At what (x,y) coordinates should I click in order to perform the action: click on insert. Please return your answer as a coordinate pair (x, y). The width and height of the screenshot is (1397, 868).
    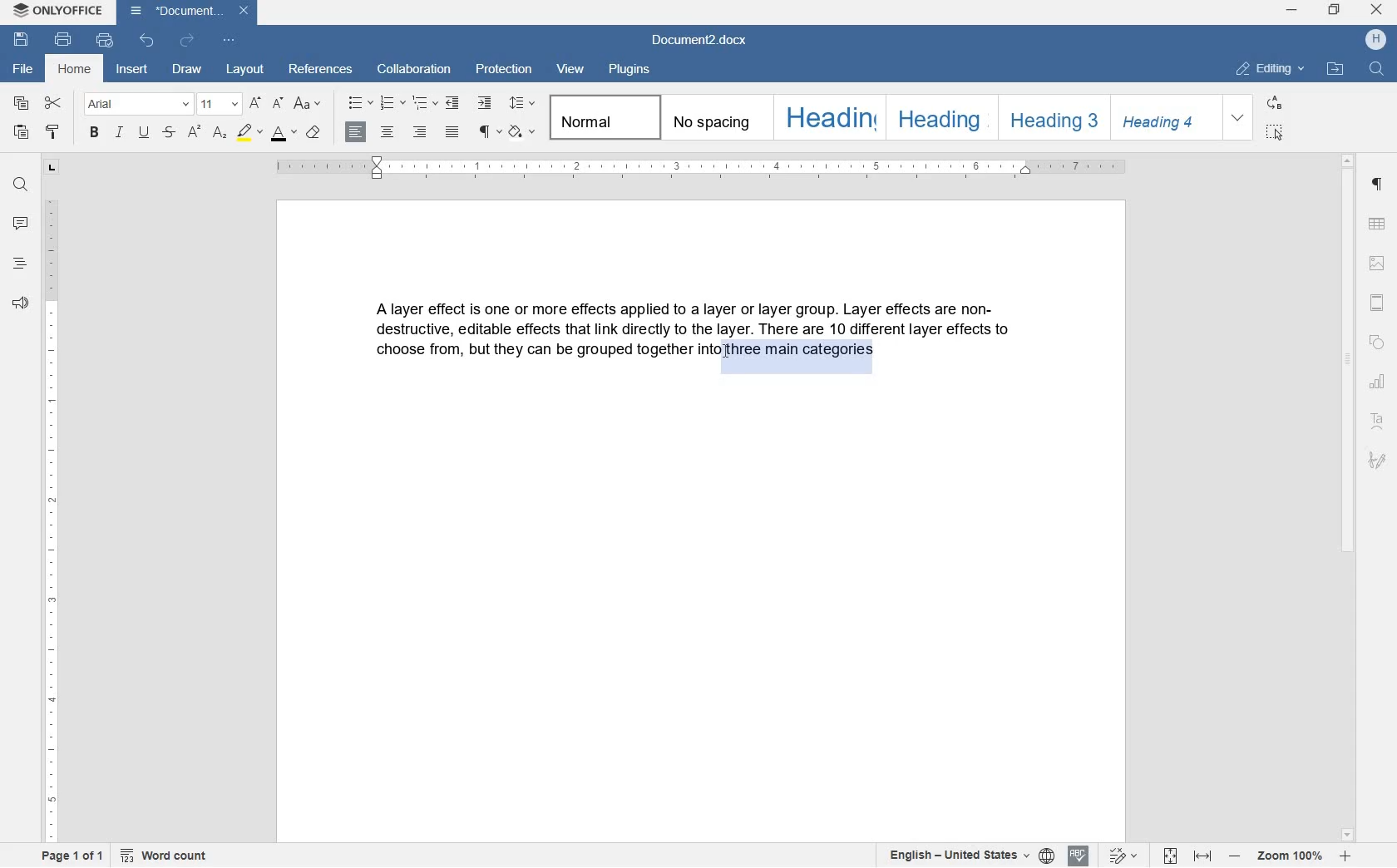
    Looking at the image, I should click on (135, 72).